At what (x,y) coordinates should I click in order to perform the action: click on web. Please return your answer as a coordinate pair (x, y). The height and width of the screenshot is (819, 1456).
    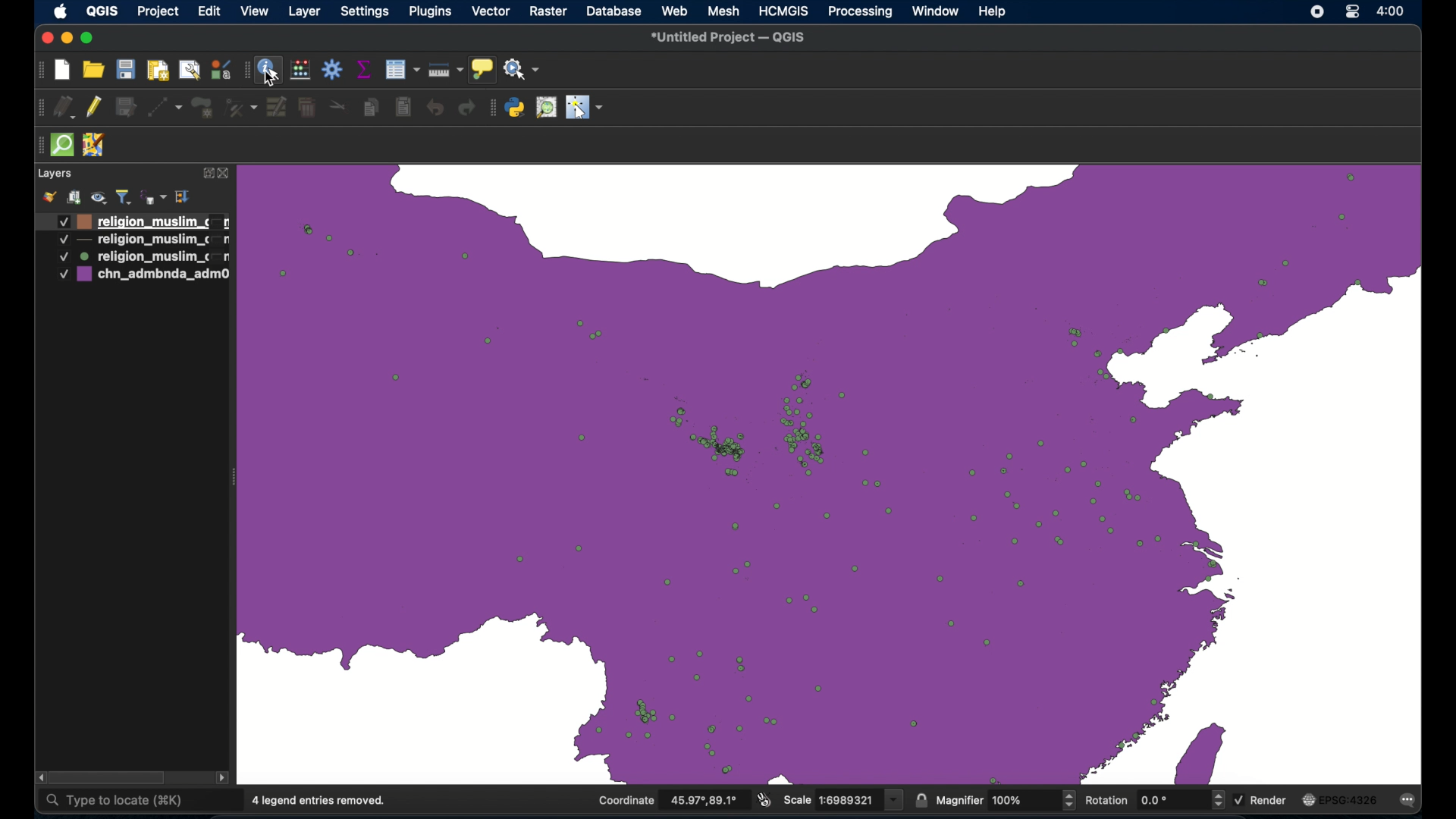
    Looking at the image, I should click on (675, 11).